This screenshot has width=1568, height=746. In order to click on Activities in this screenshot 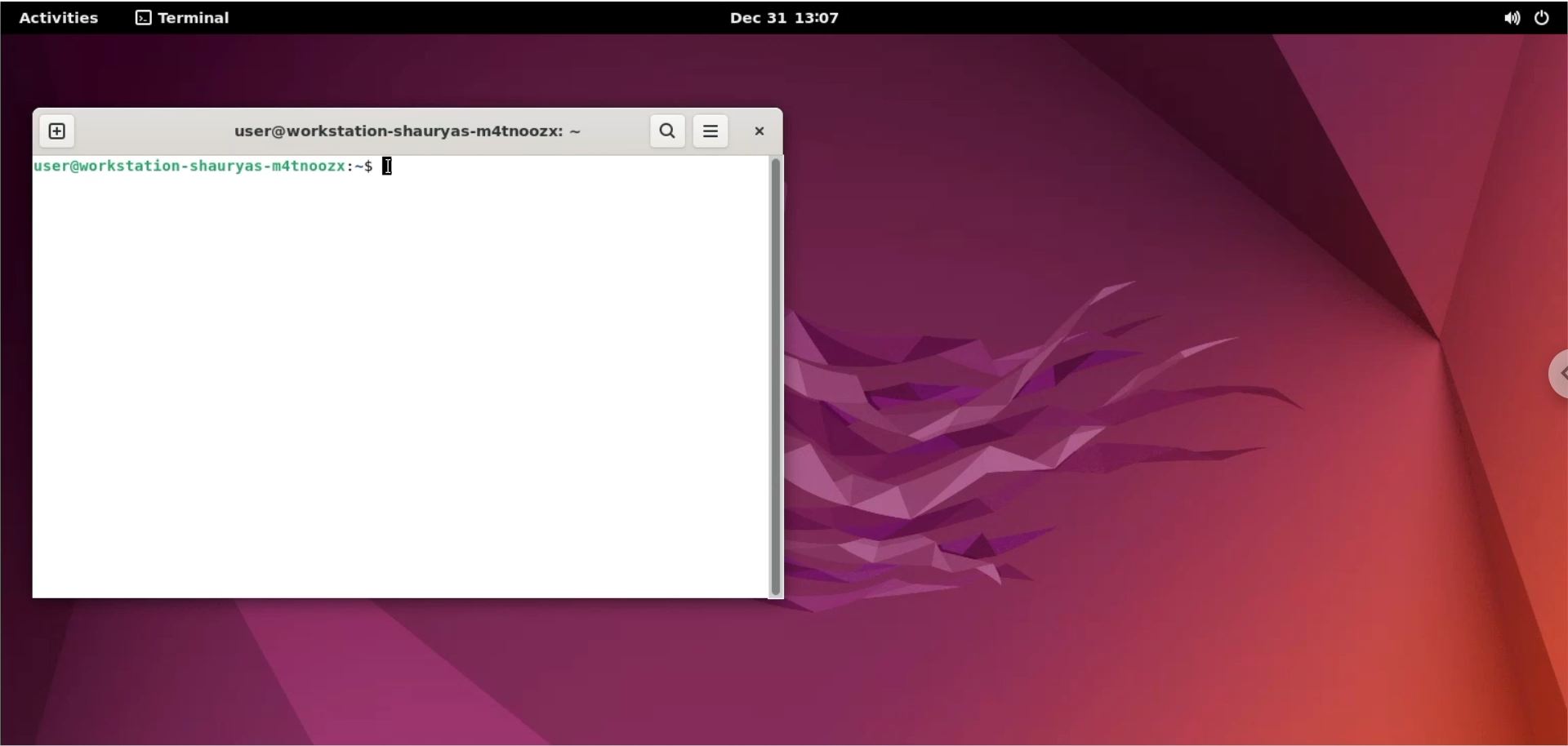, I will do `click(60, 18)`.